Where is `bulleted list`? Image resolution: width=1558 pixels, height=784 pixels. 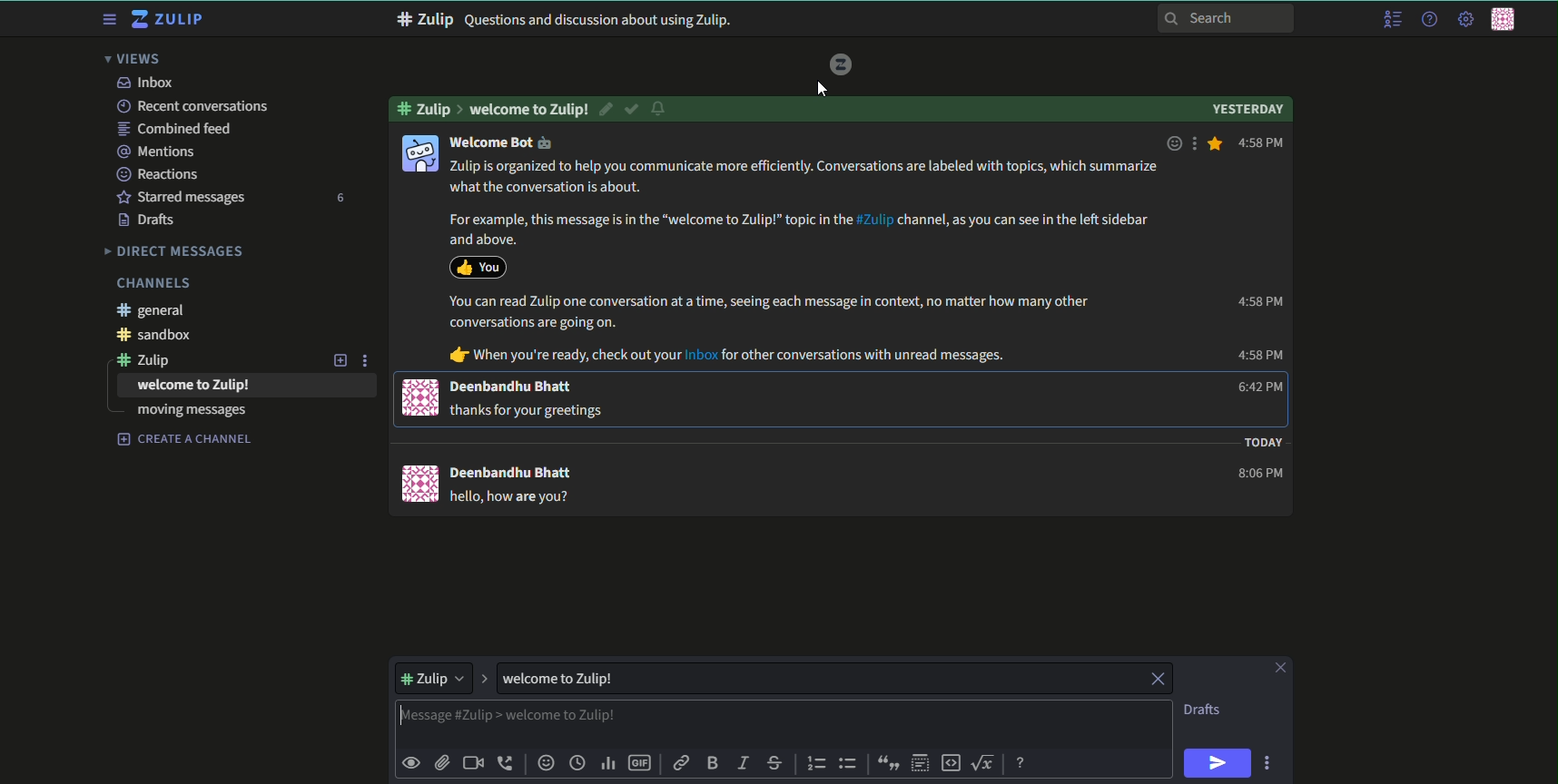
bulleted list is located at coordinates (848, 763).